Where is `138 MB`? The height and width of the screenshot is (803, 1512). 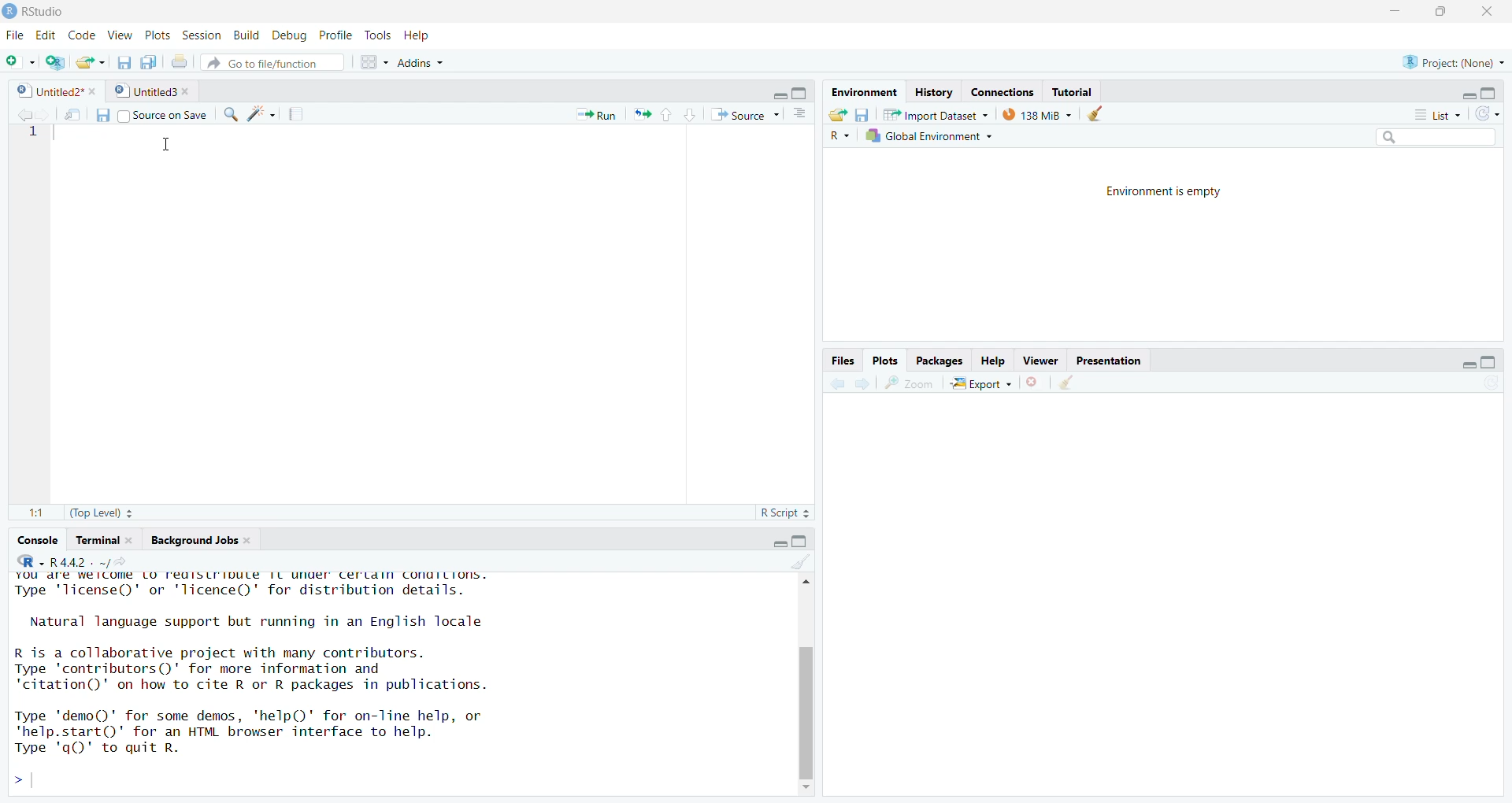
138 MB is located at coordinates (1037, 113).